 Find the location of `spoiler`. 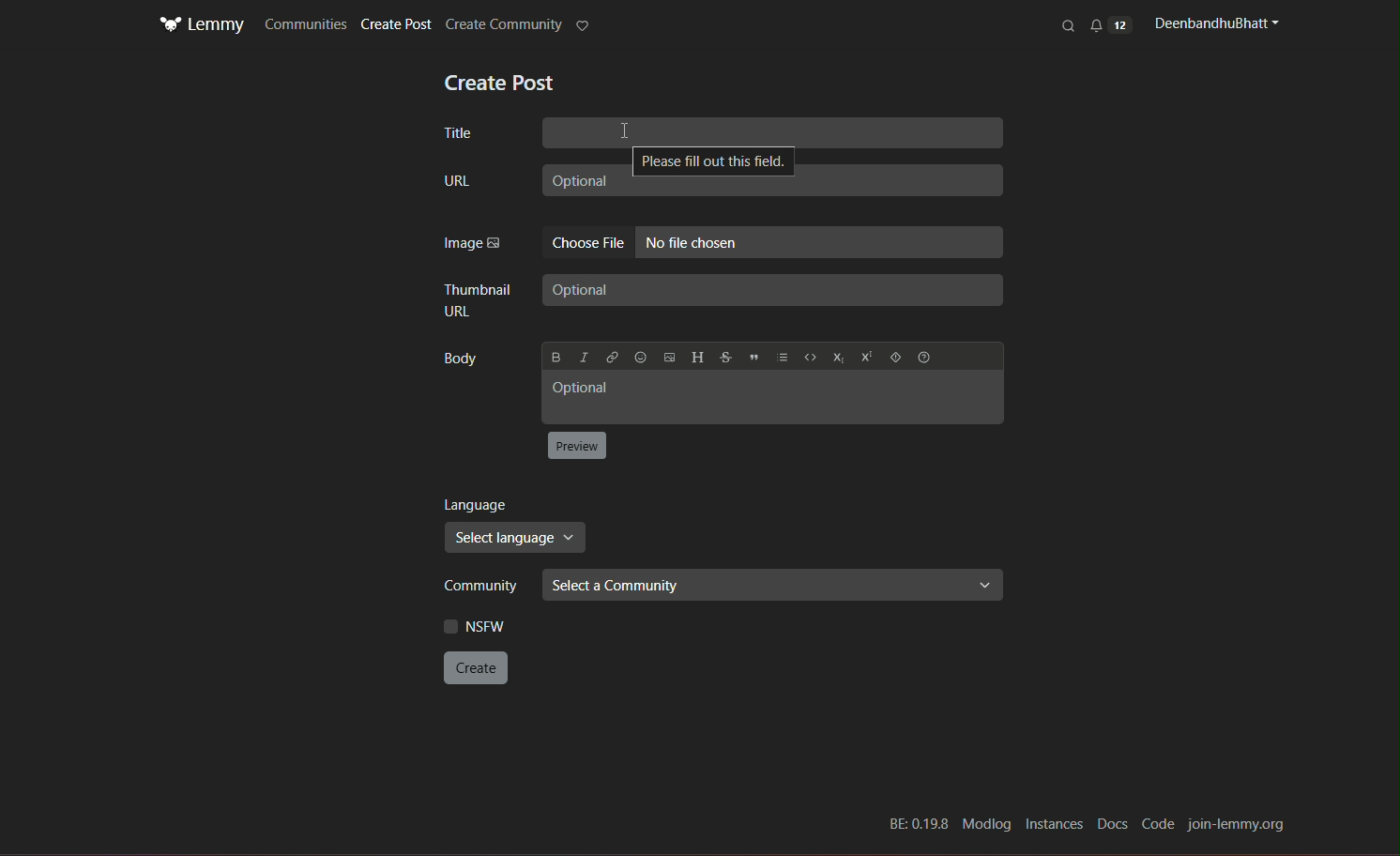

spoiler is located at coordinates (895, 356).